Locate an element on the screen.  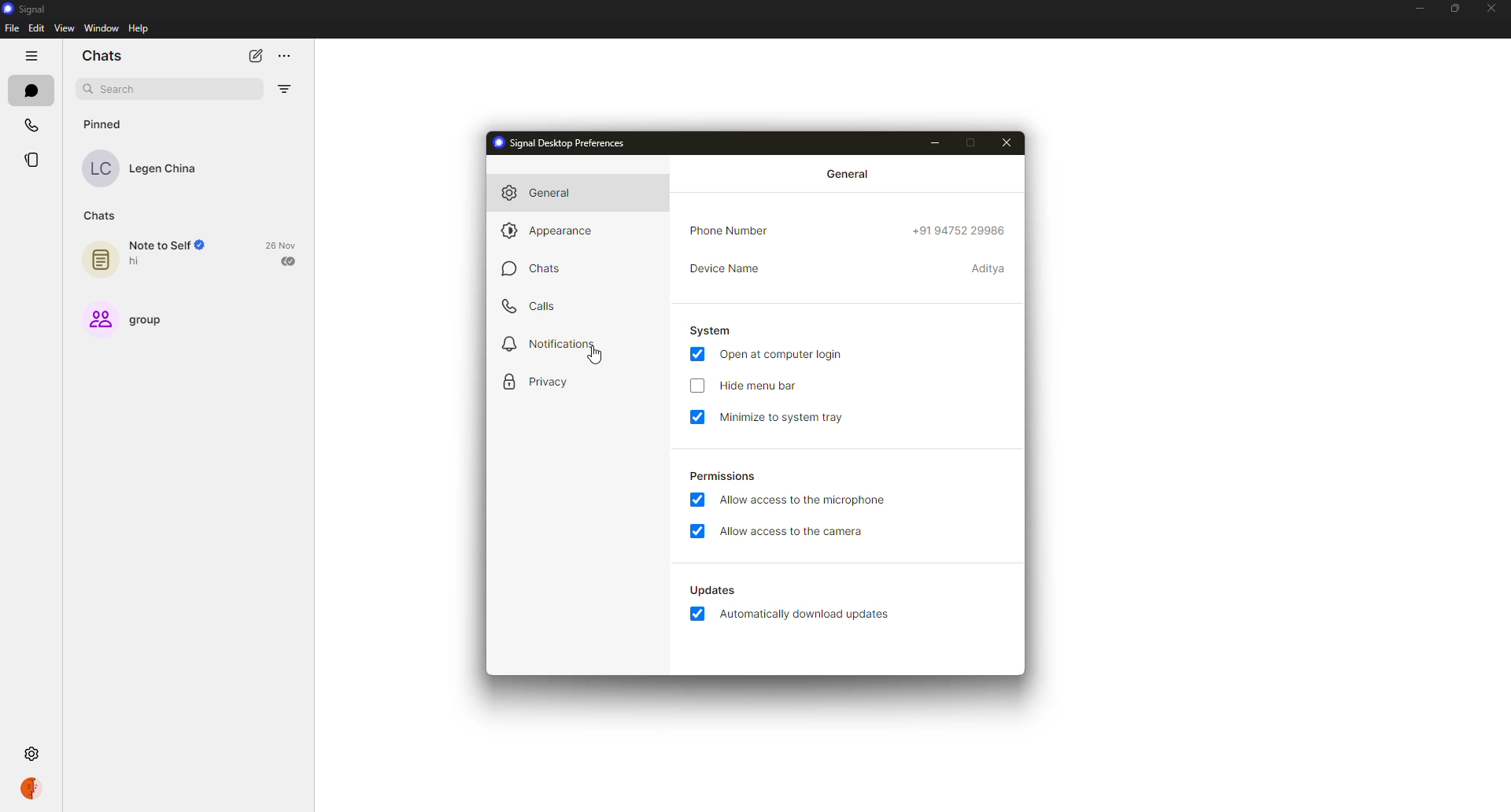
hide tabs is located at coordinates (31, 56).